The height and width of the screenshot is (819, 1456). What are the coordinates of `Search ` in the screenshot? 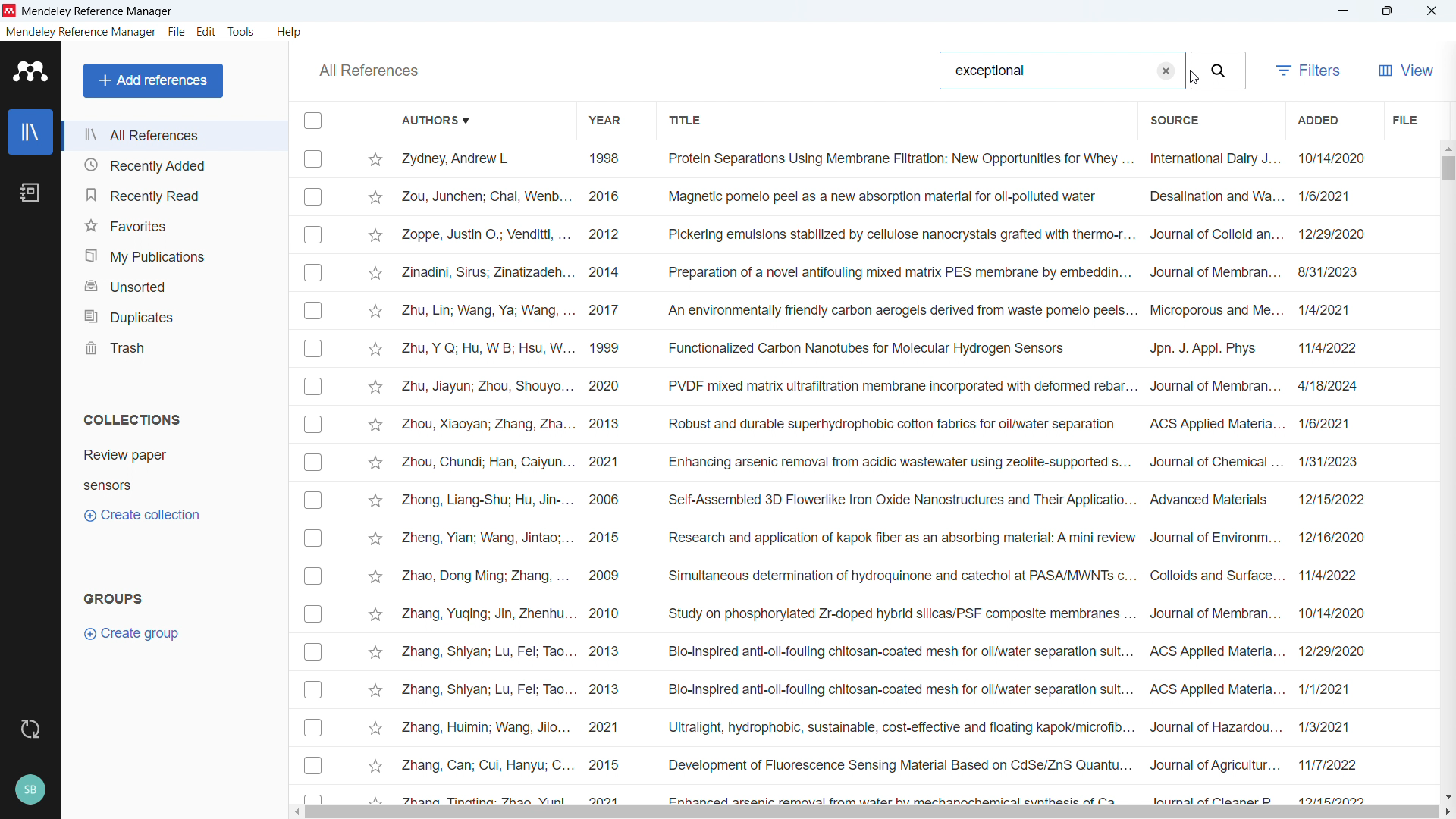 It's located at (1219, 70).